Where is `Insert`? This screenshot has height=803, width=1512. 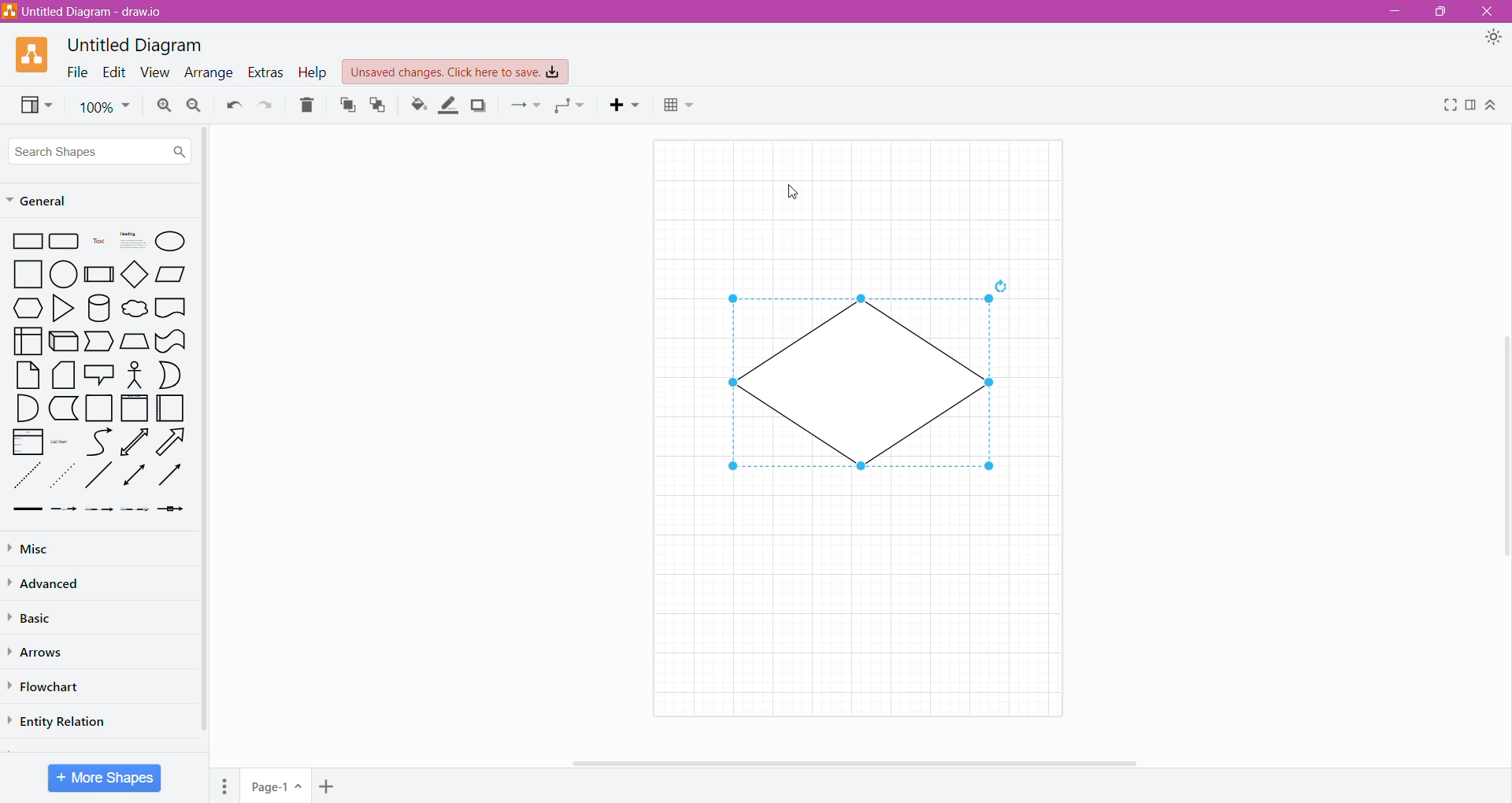
Insert is located at coordinates (628, 105).